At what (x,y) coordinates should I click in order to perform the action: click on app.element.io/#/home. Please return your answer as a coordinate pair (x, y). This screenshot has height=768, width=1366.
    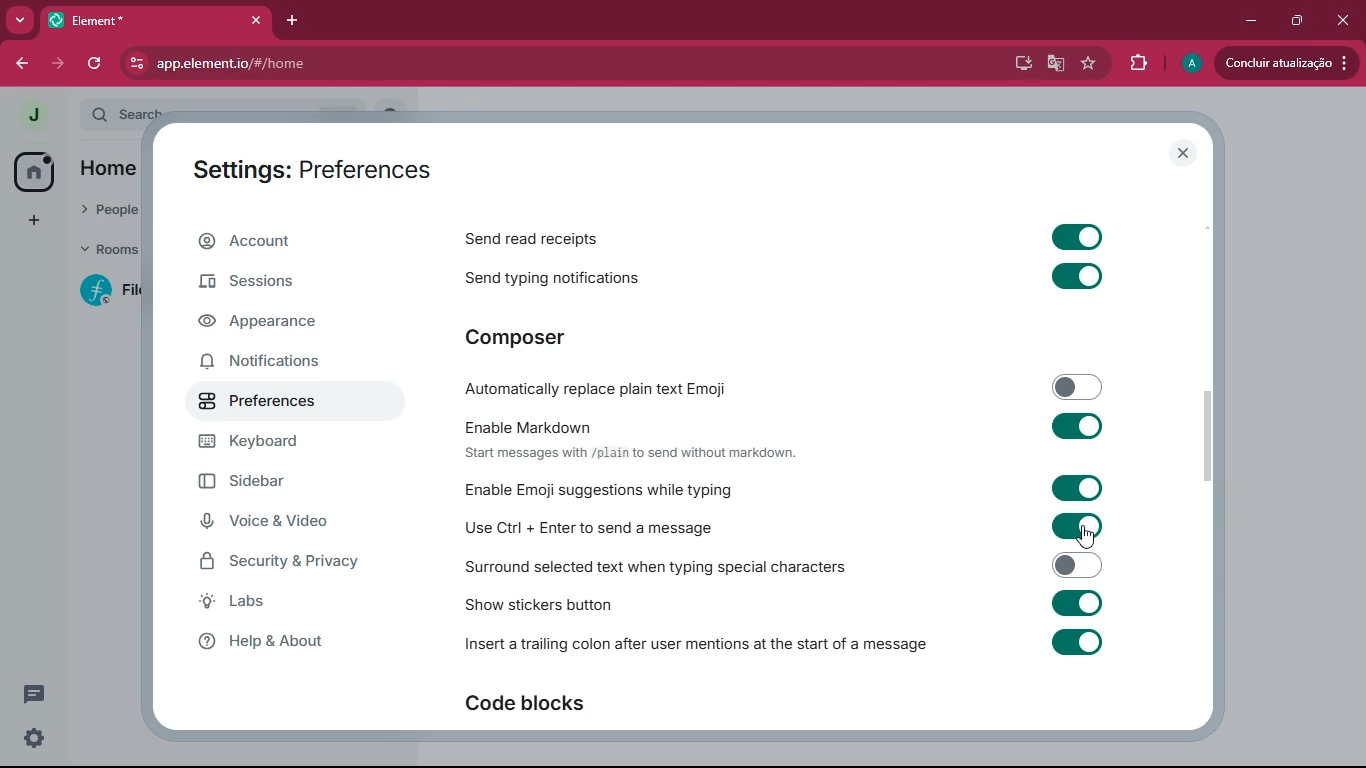
    Looking at the image, I should click on (358, 63).